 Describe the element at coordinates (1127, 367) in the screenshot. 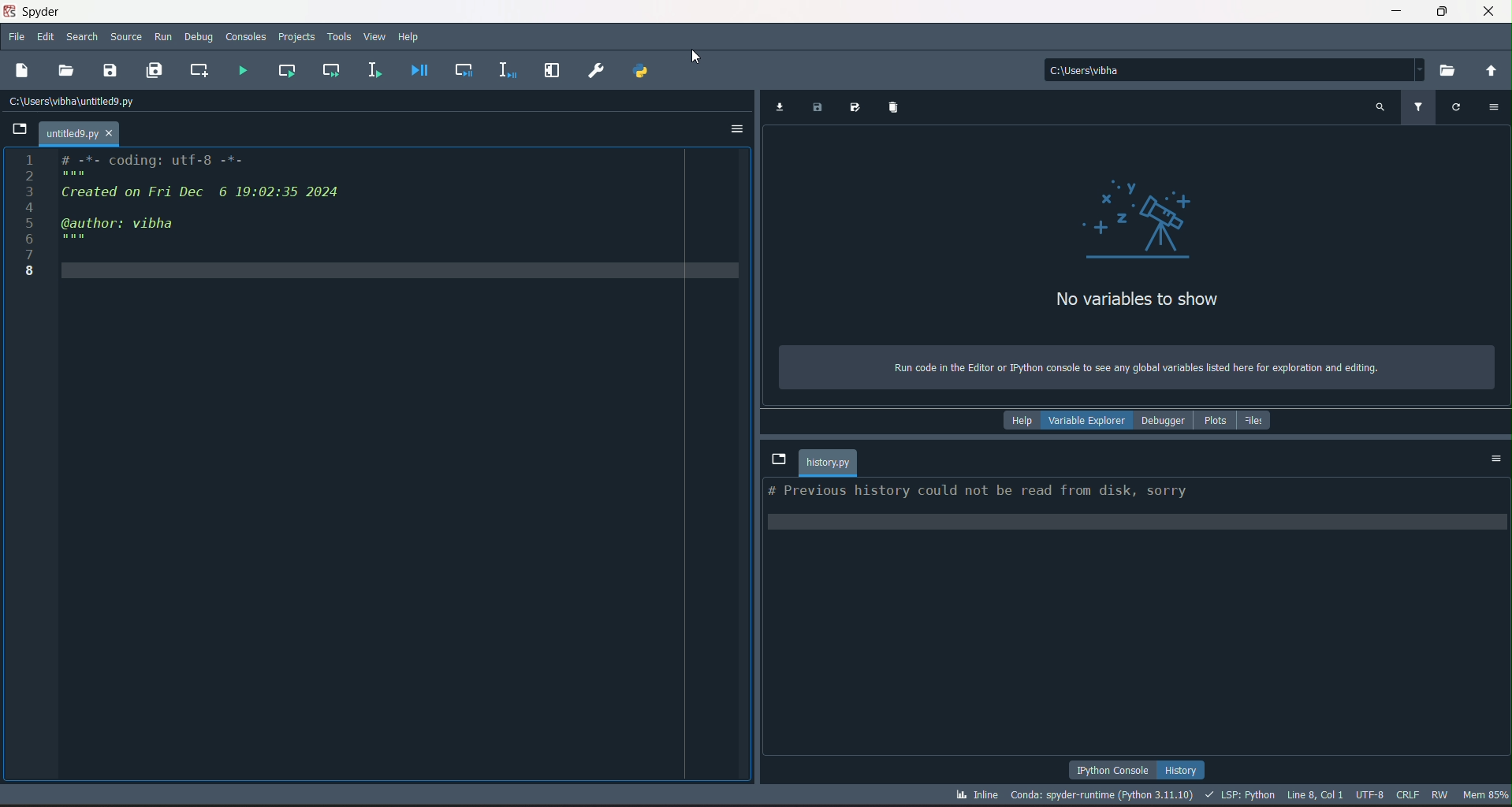

I see `text` at that location.